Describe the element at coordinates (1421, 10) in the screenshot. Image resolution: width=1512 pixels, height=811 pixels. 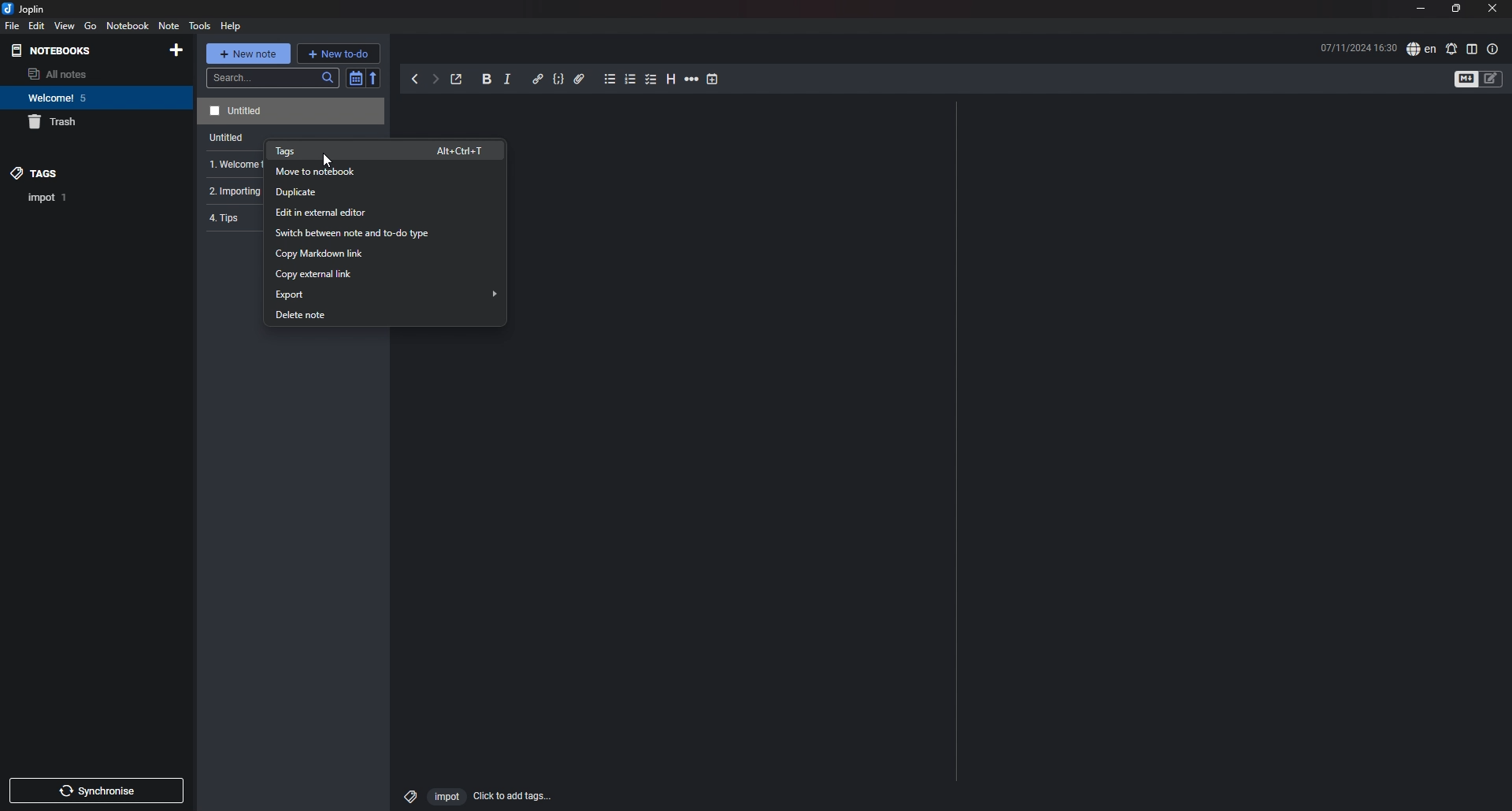
I see `minimize` at that location.